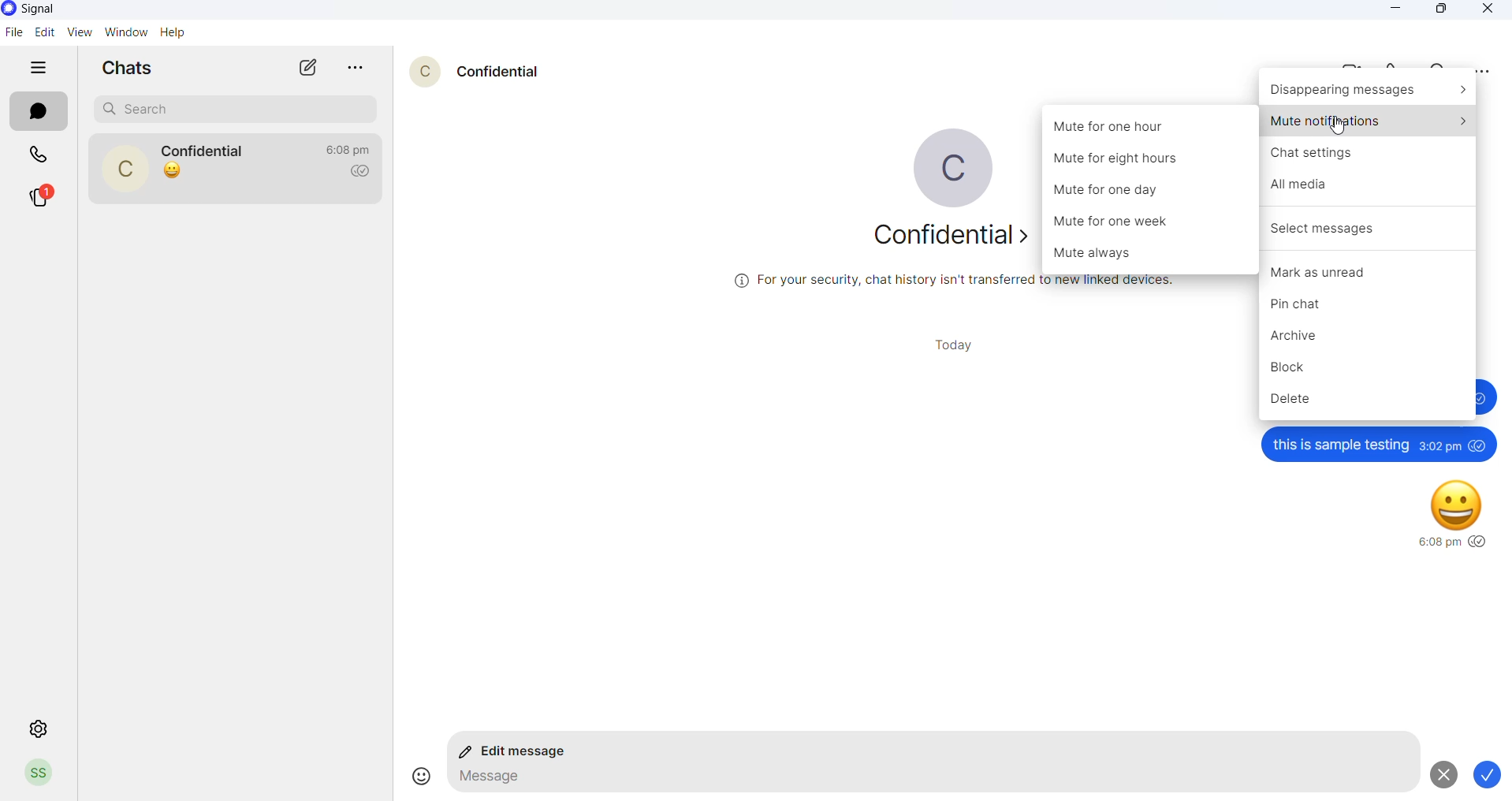 This screenshot has width=1512, height=801. Describe the element at coordinates (1439, 445) in the screenshot. I see `3:02 pm` at that location.